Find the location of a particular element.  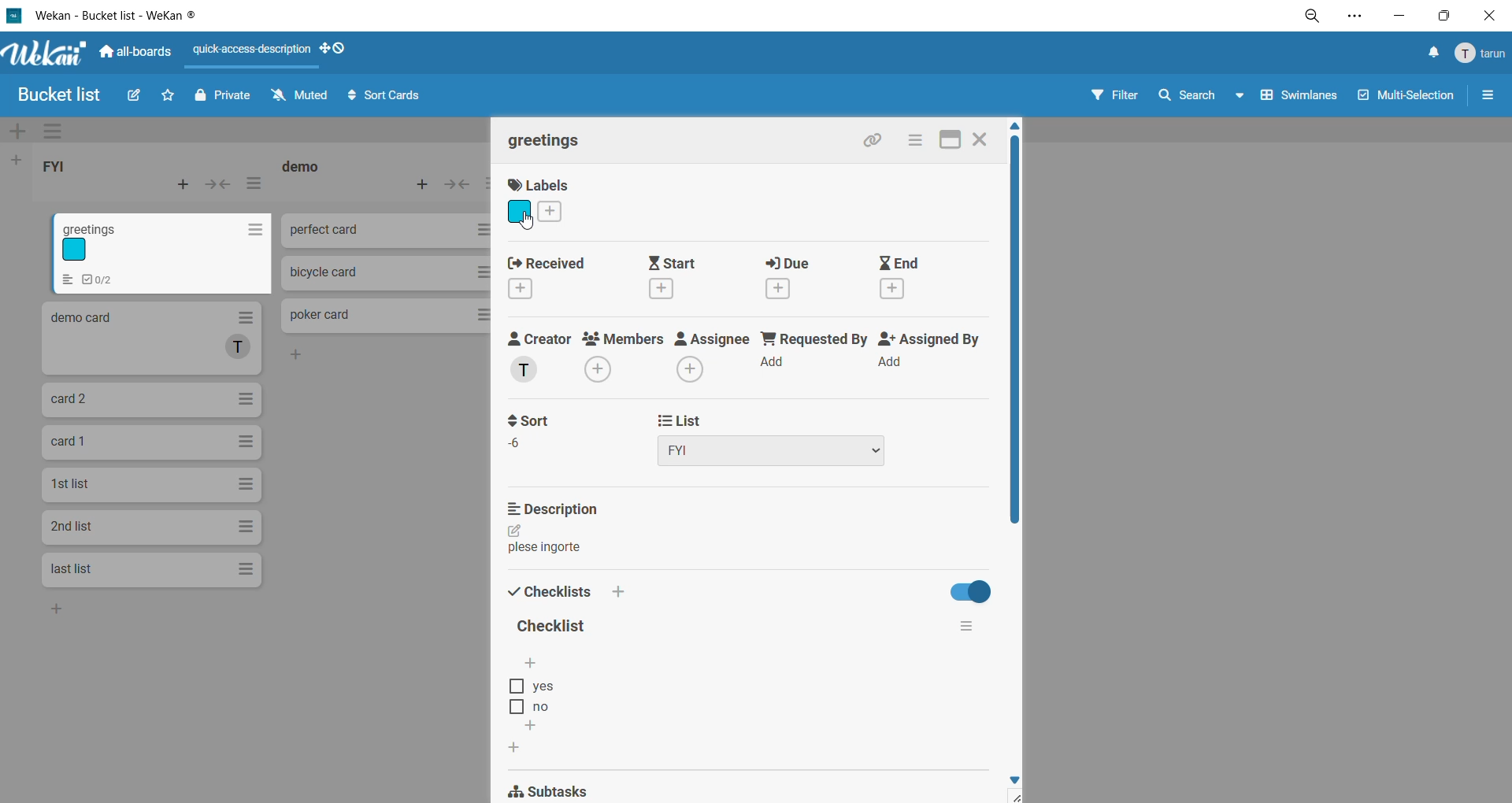

add checklist is located at coordinates (619, 591).